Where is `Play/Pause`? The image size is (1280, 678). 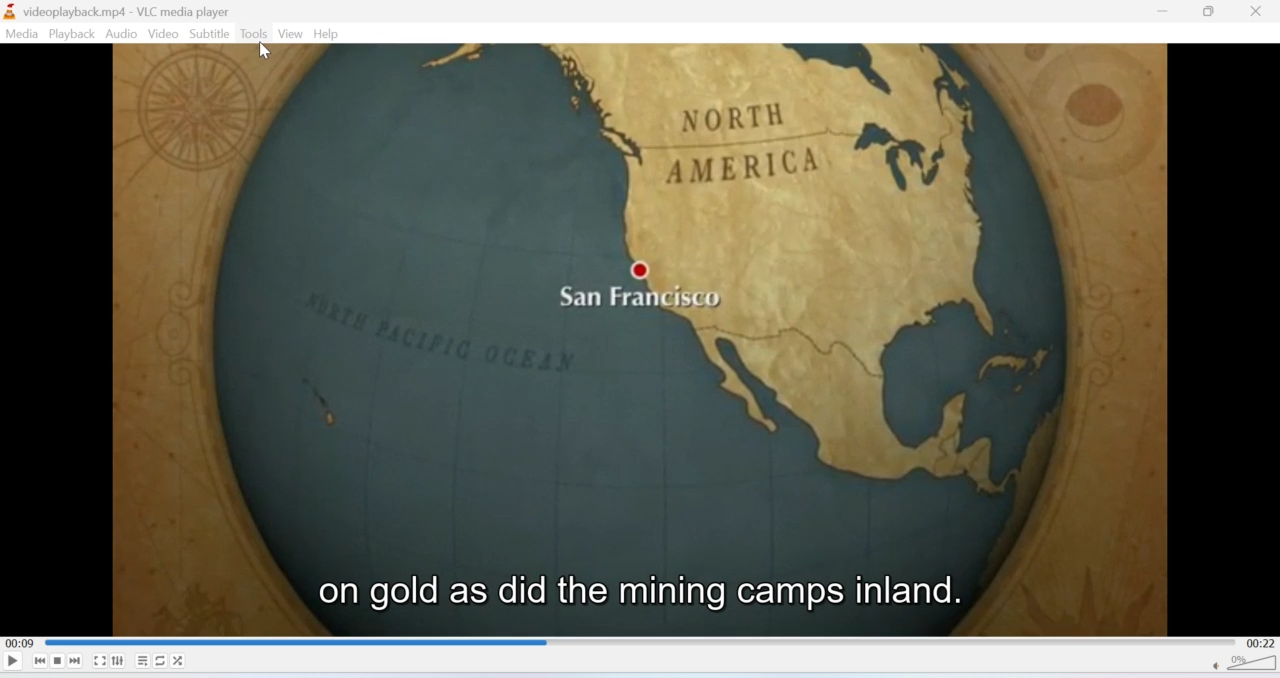 Play/Pause is located at coordinates (13, 660).